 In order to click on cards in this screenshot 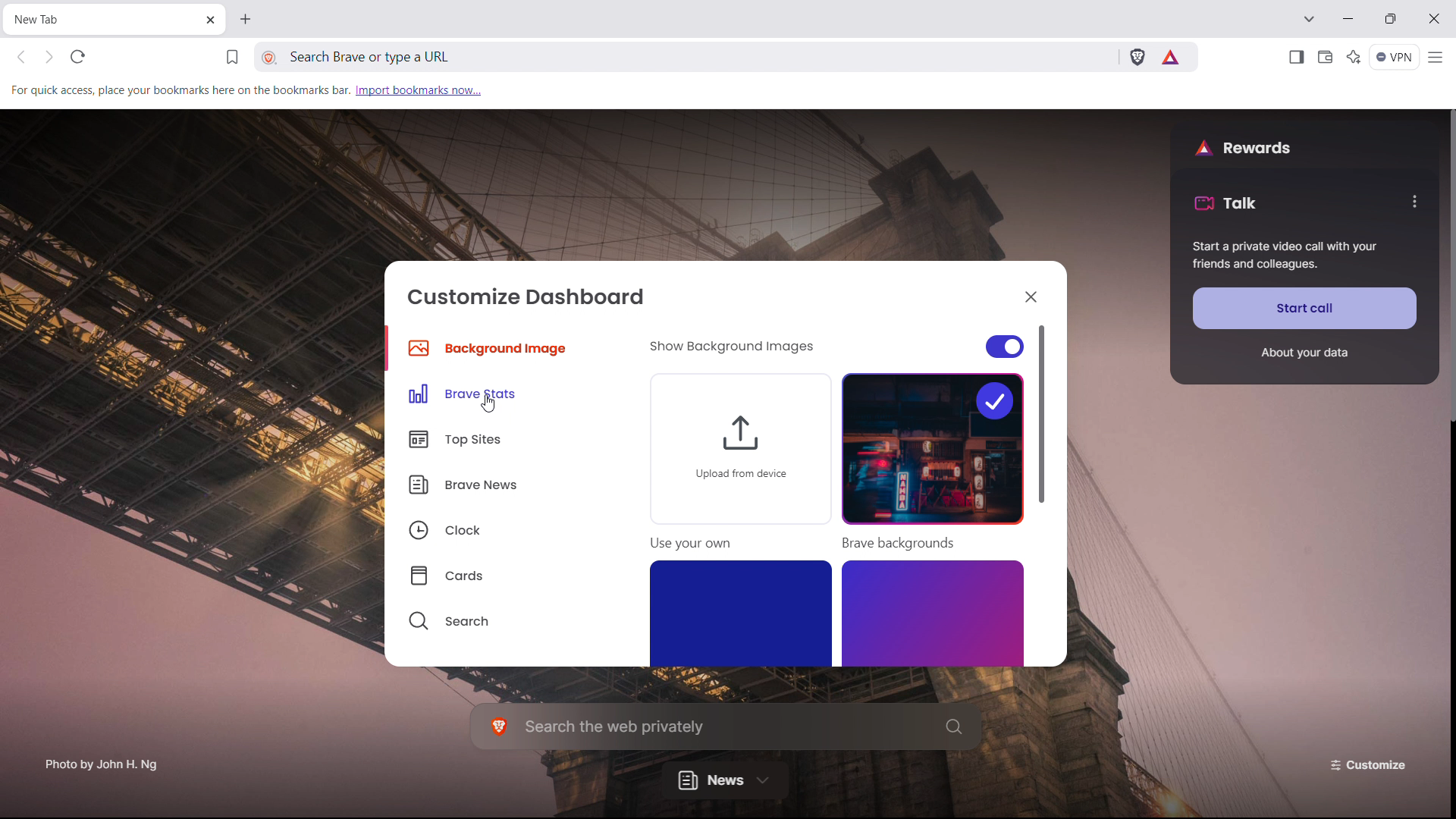, I will do `click(507, 571)`.